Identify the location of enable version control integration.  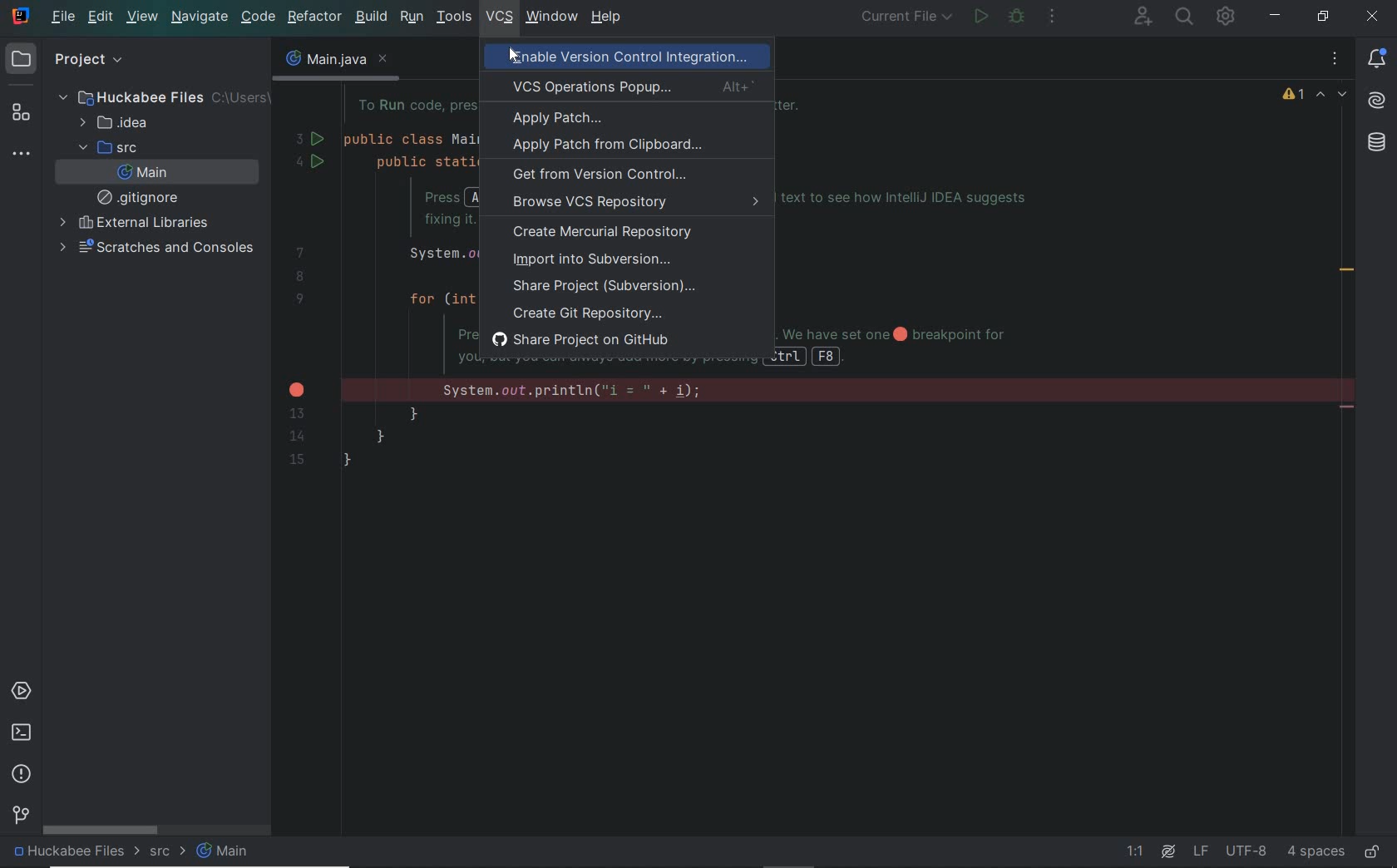
(641, 58).